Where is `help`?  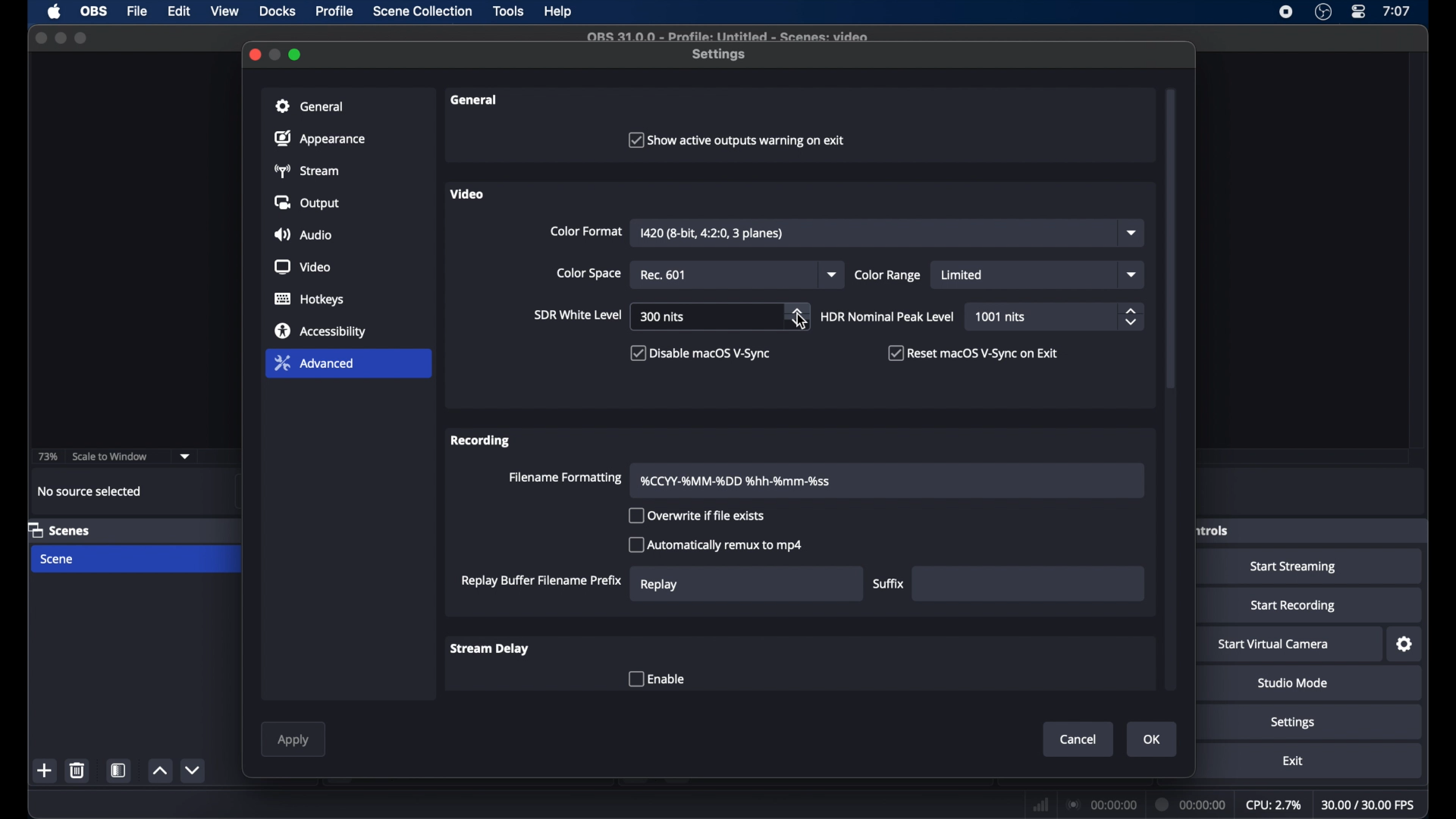 help is located at coordinates (558, 11).